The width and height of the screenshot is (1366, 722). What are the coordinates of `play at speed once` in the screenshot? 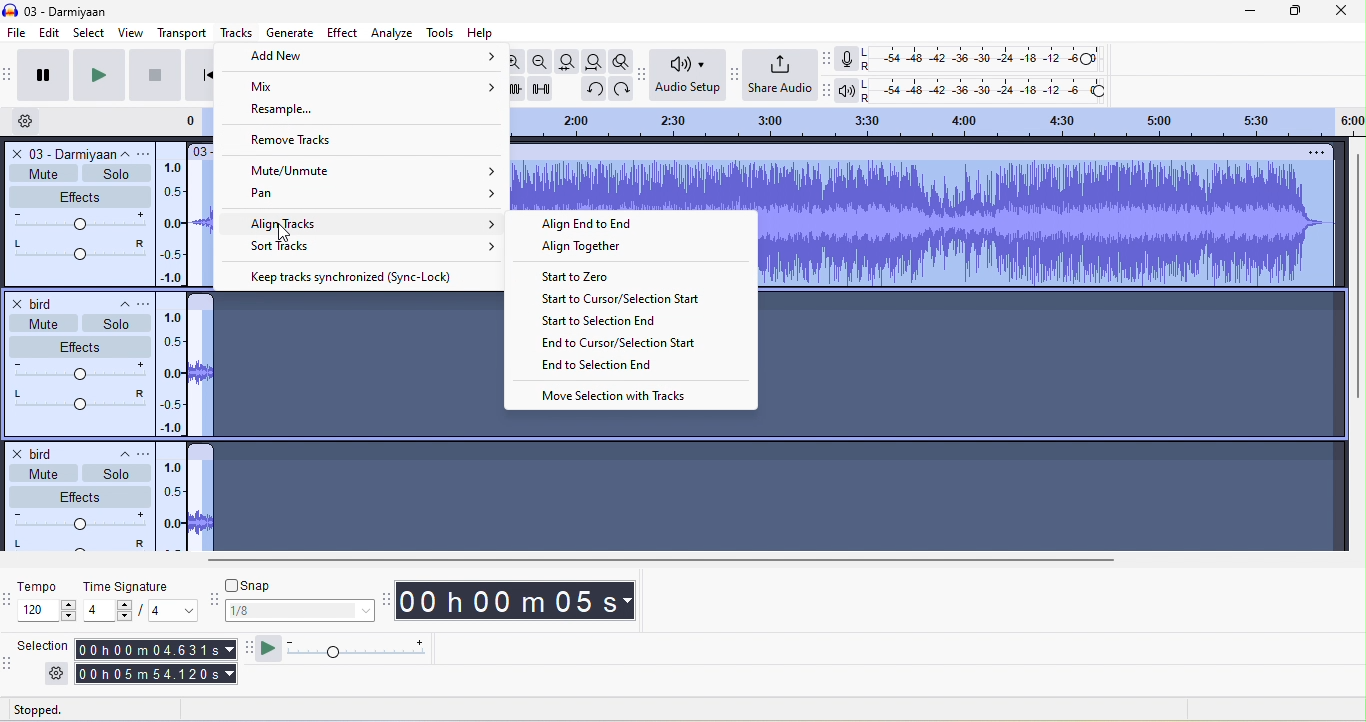 It's located at (272, 650).